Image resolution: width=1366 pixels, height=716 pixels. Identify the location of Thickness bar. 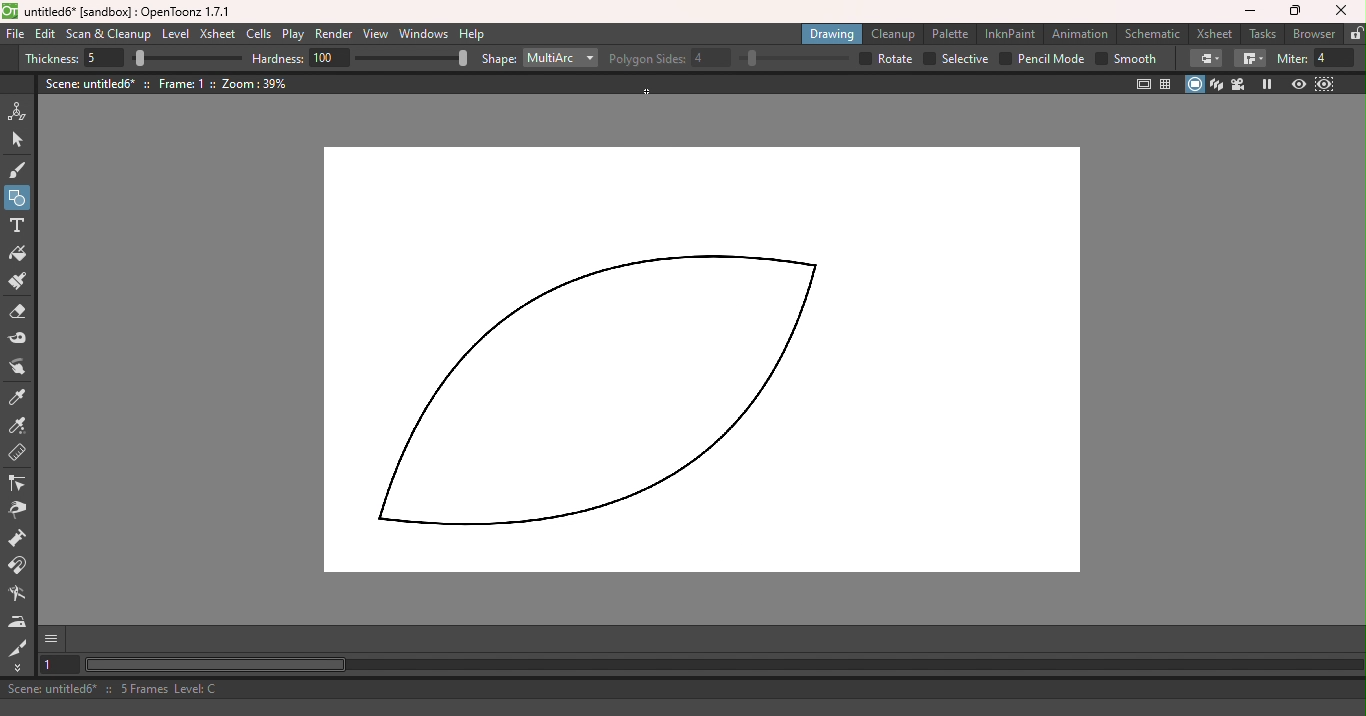
(186, 57).